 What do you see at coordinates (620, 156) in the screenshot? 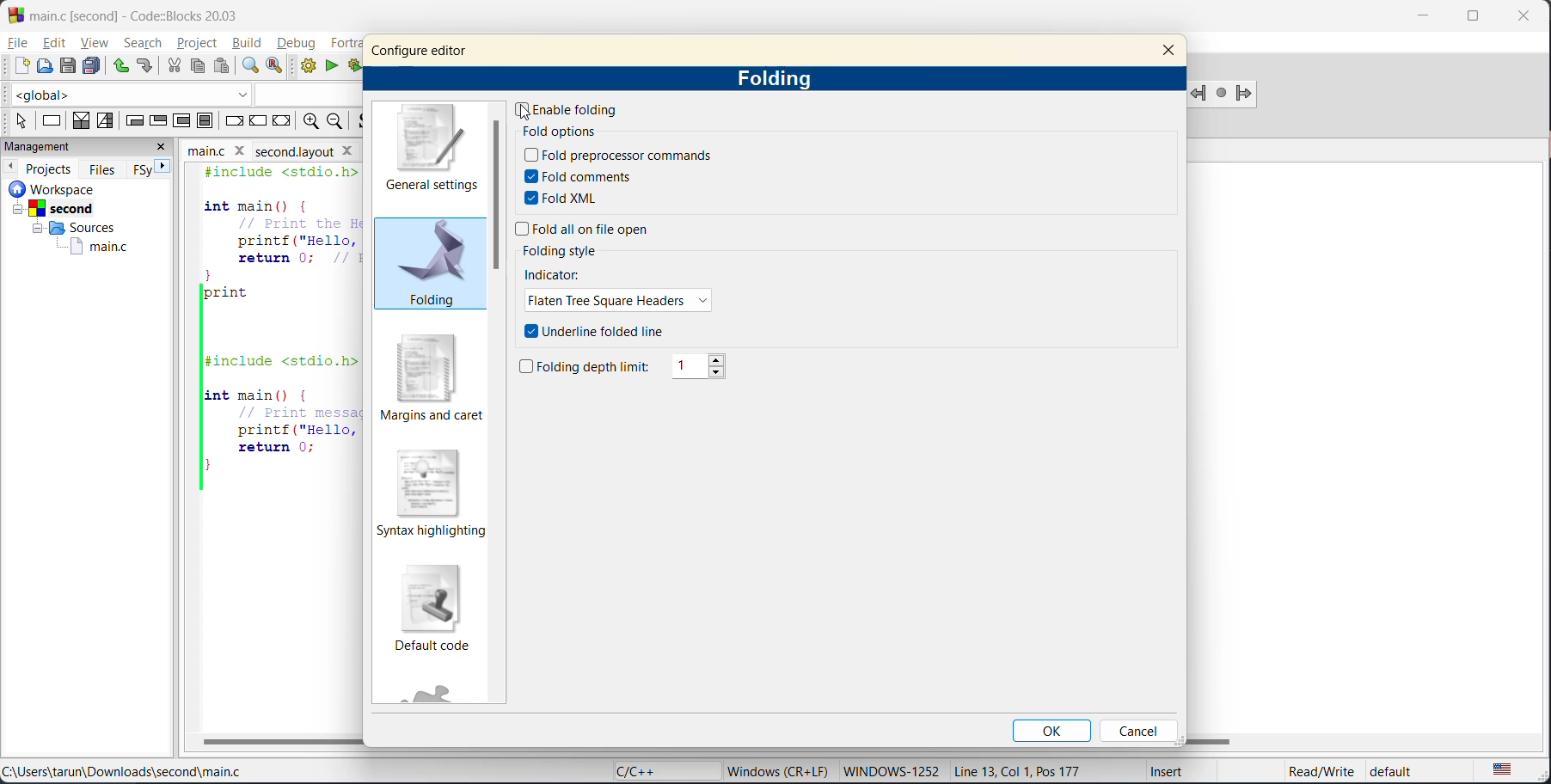
I see `fold preprocessor commands` at bounding box center [620, 156].